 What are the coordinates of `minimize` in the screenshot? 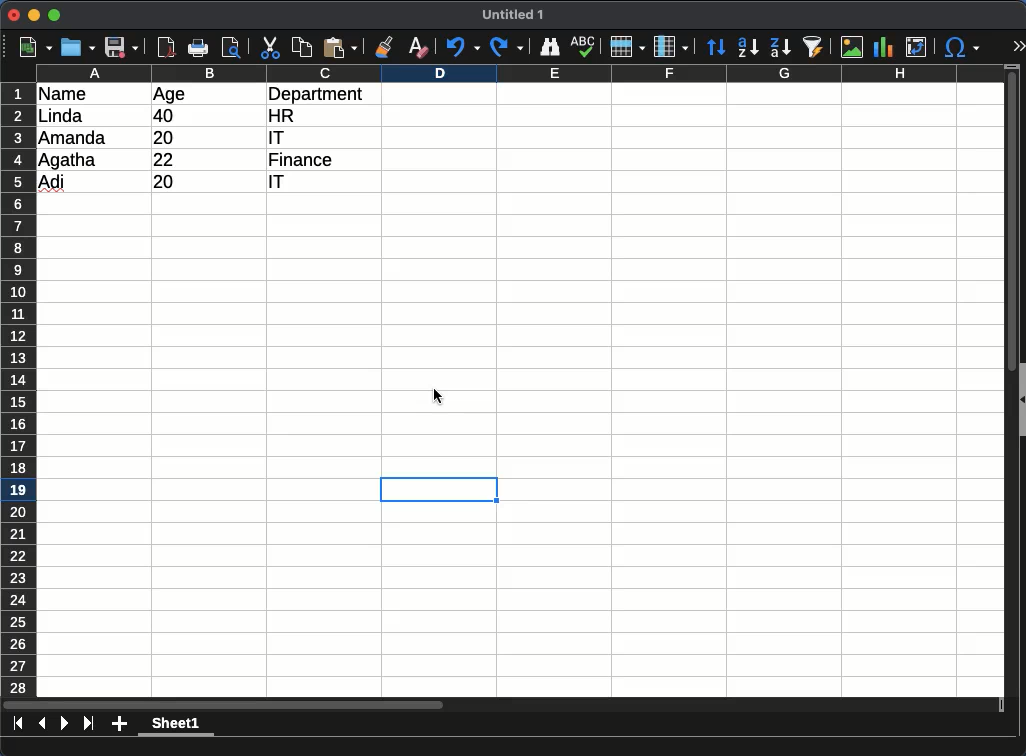 It's located at (35, 14).